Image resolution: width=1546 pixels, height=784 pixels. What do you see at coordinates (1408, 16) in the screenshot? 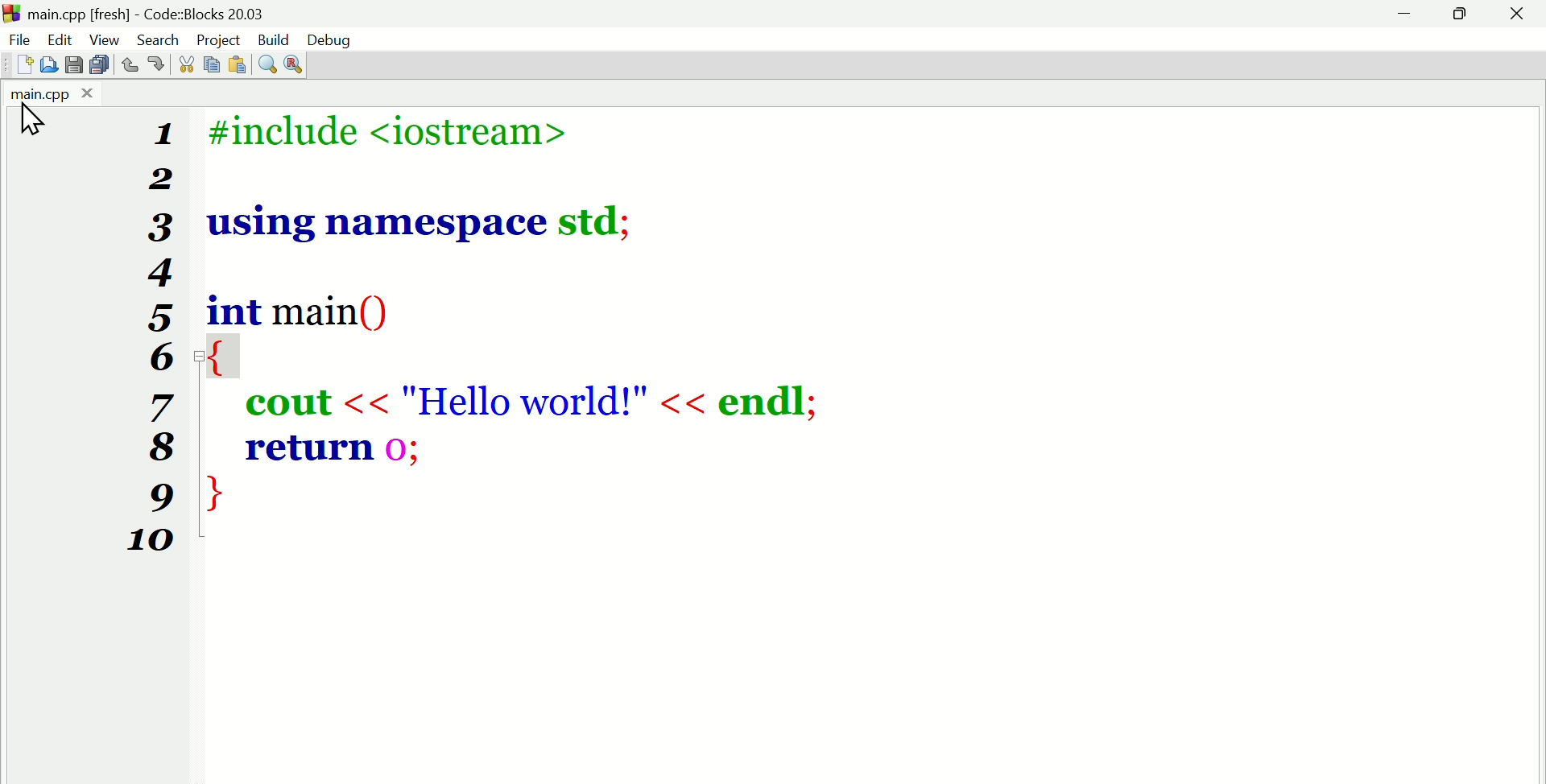
I see `minimise` at bounding box center [1408, 16].